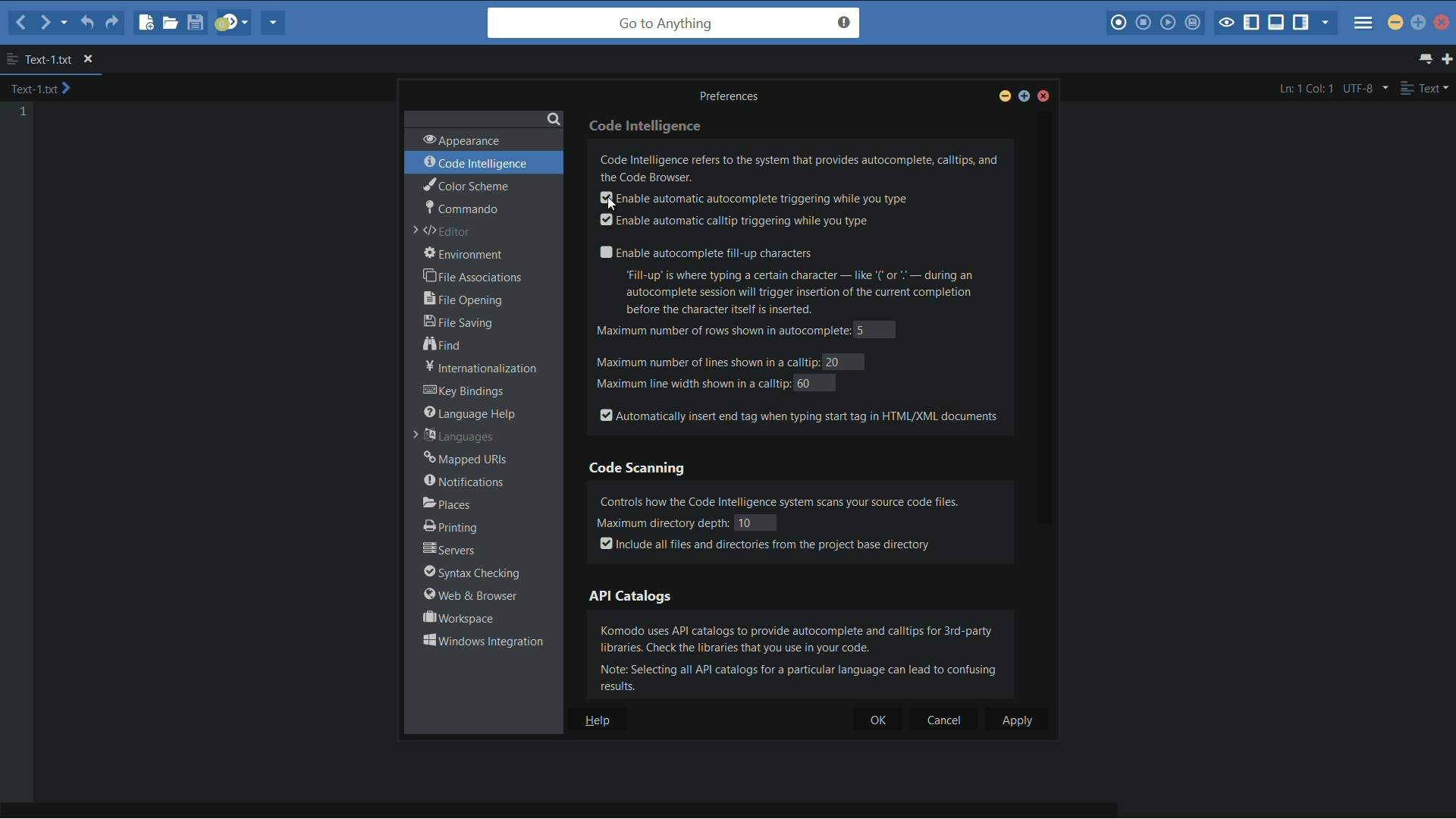 This screenshot has height=819, width=1456. I want to click on maximum line width shown in a calltip:, so click(691, 384).